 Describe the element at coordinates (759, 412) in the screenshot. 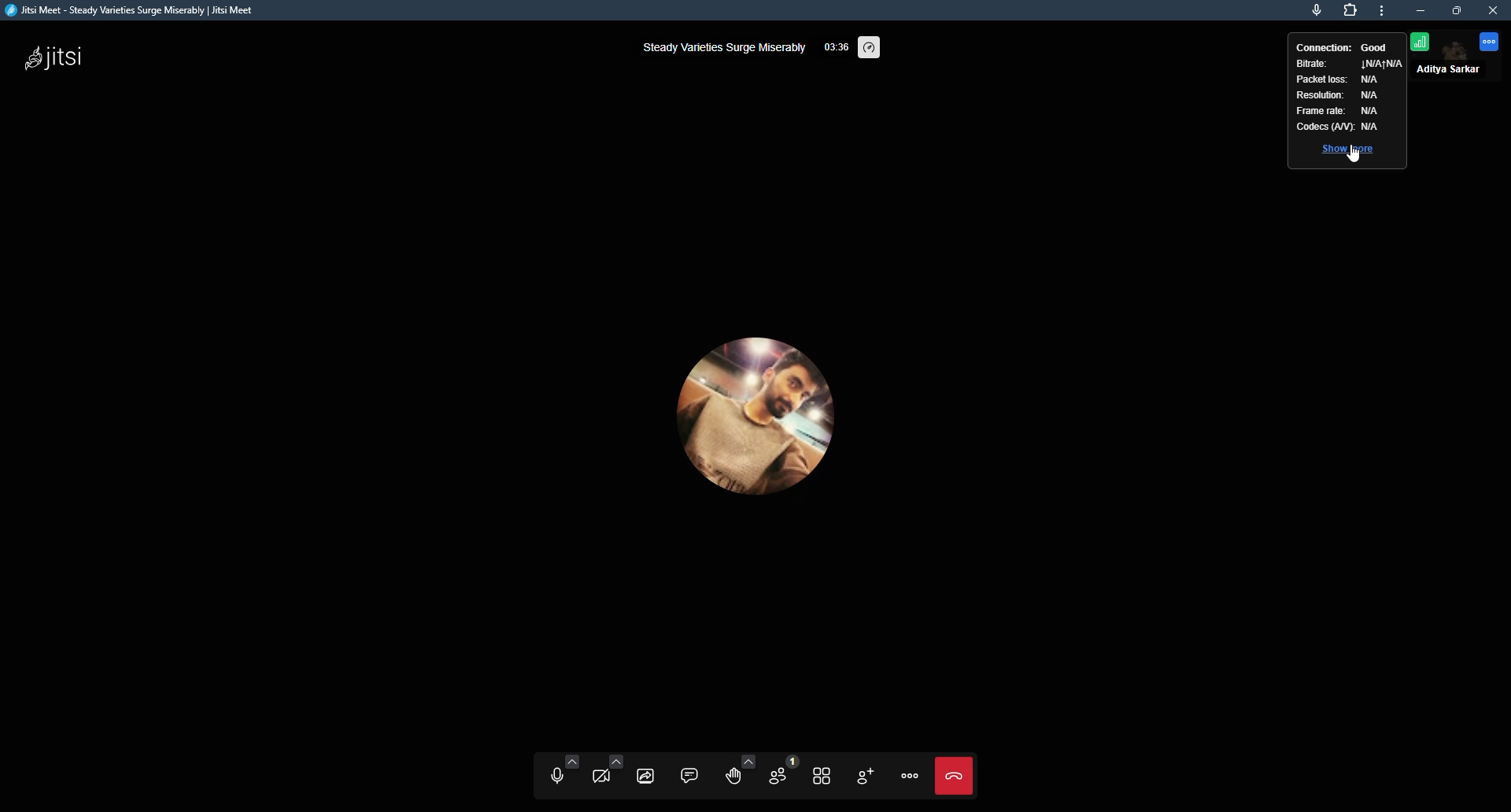

I see `profile` at that location.